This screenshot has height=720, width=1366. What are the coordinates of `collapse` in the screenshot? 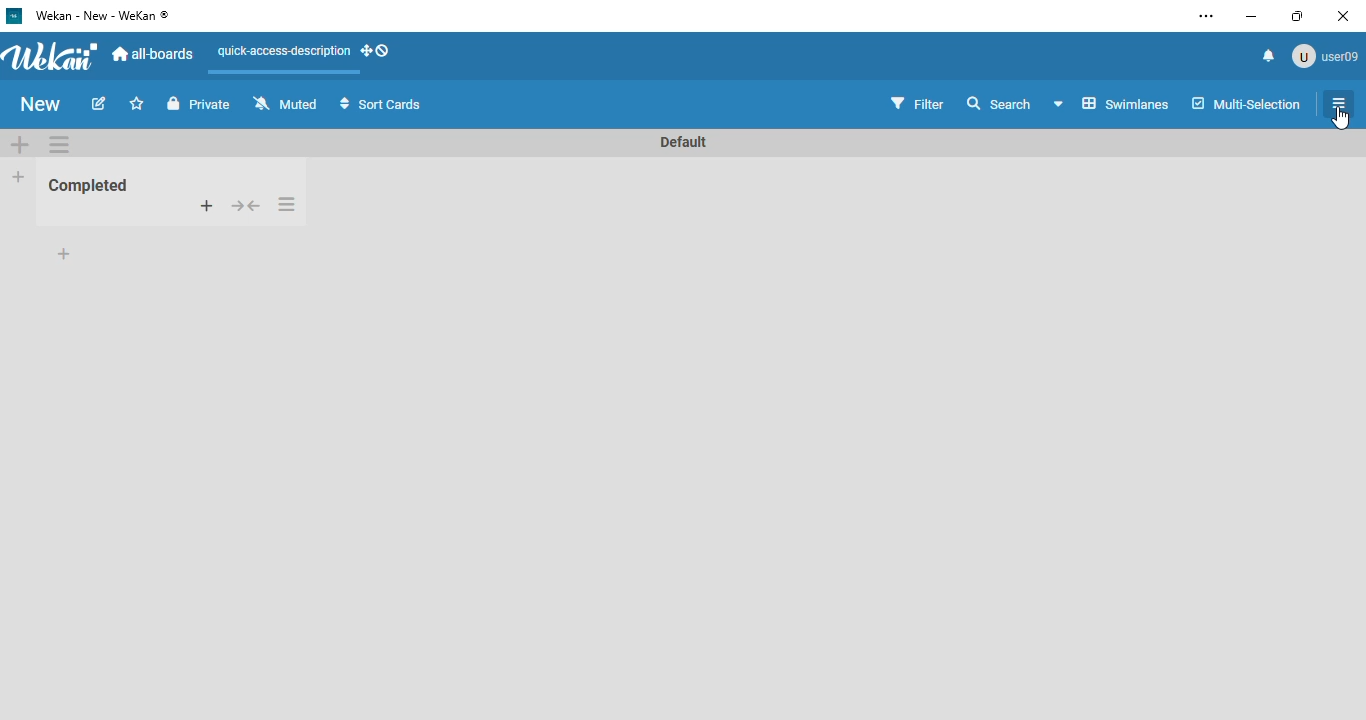 It's located at (248, 206).